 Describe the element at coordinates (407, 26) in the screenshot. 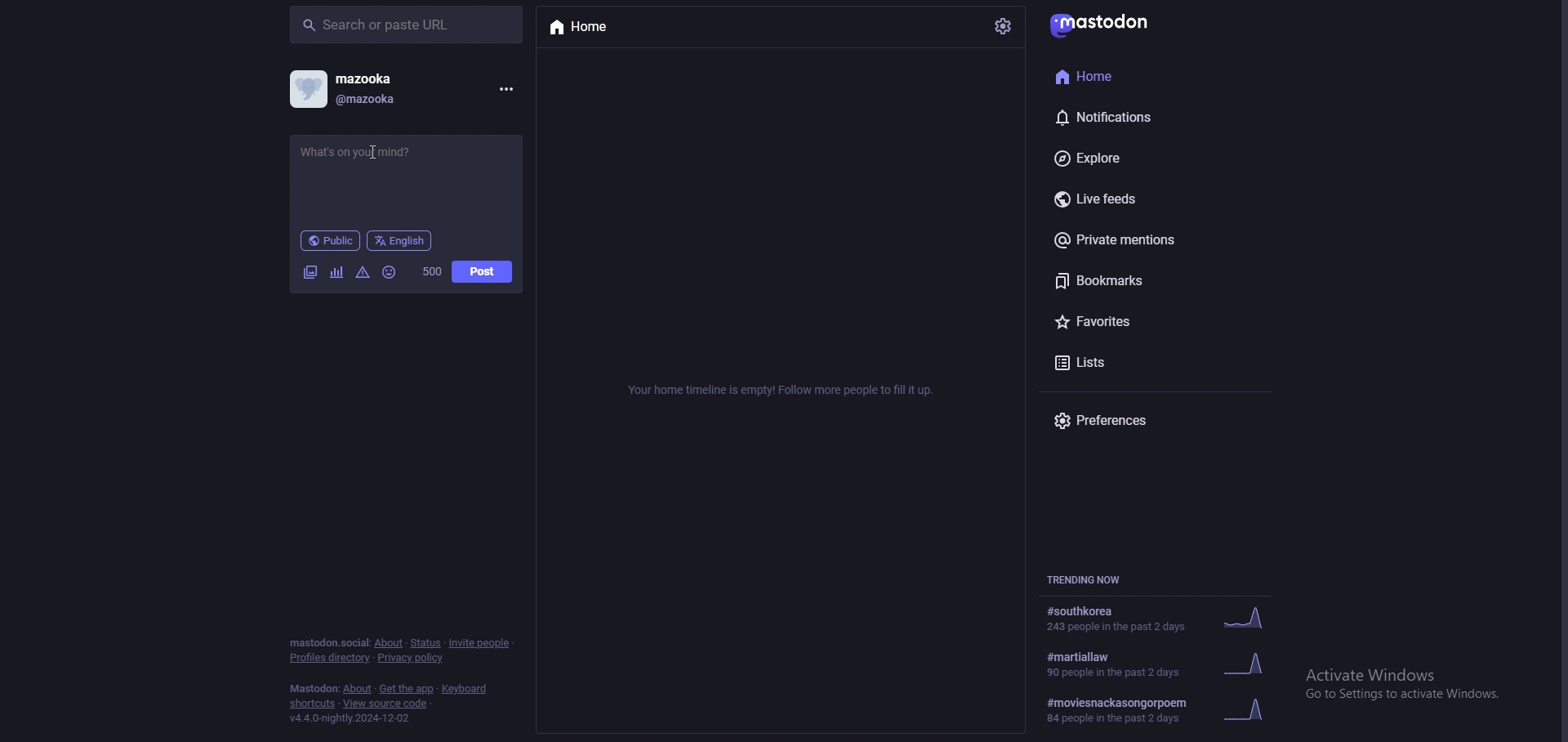

I see `search bar` at that location.